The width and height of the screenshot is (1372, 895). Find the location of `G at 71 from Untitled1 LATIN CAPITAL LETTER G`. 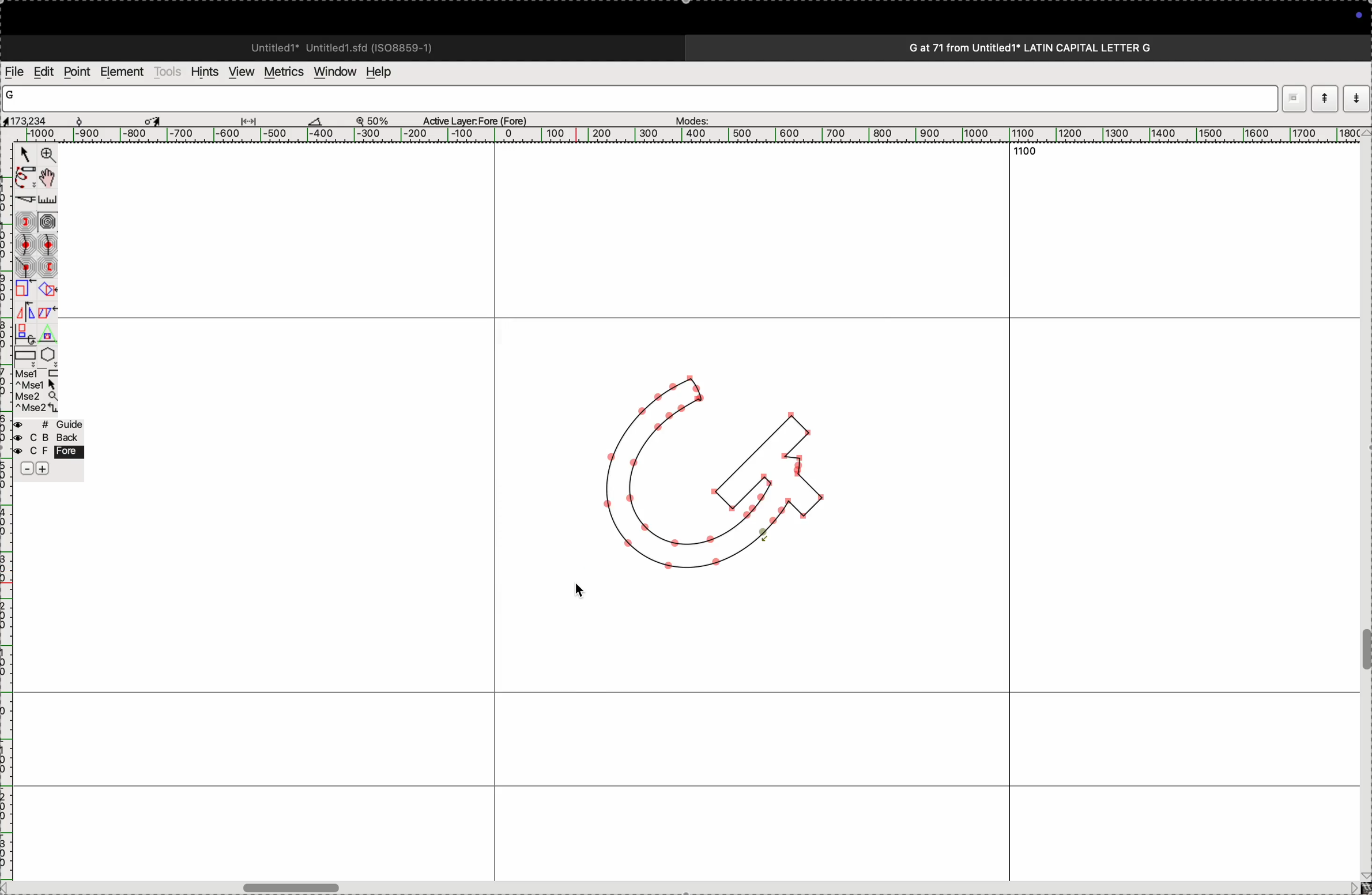

G at 71 from Untitled1 LATIN CAPITAL LETTER G is located at coordinates (1027, 46).